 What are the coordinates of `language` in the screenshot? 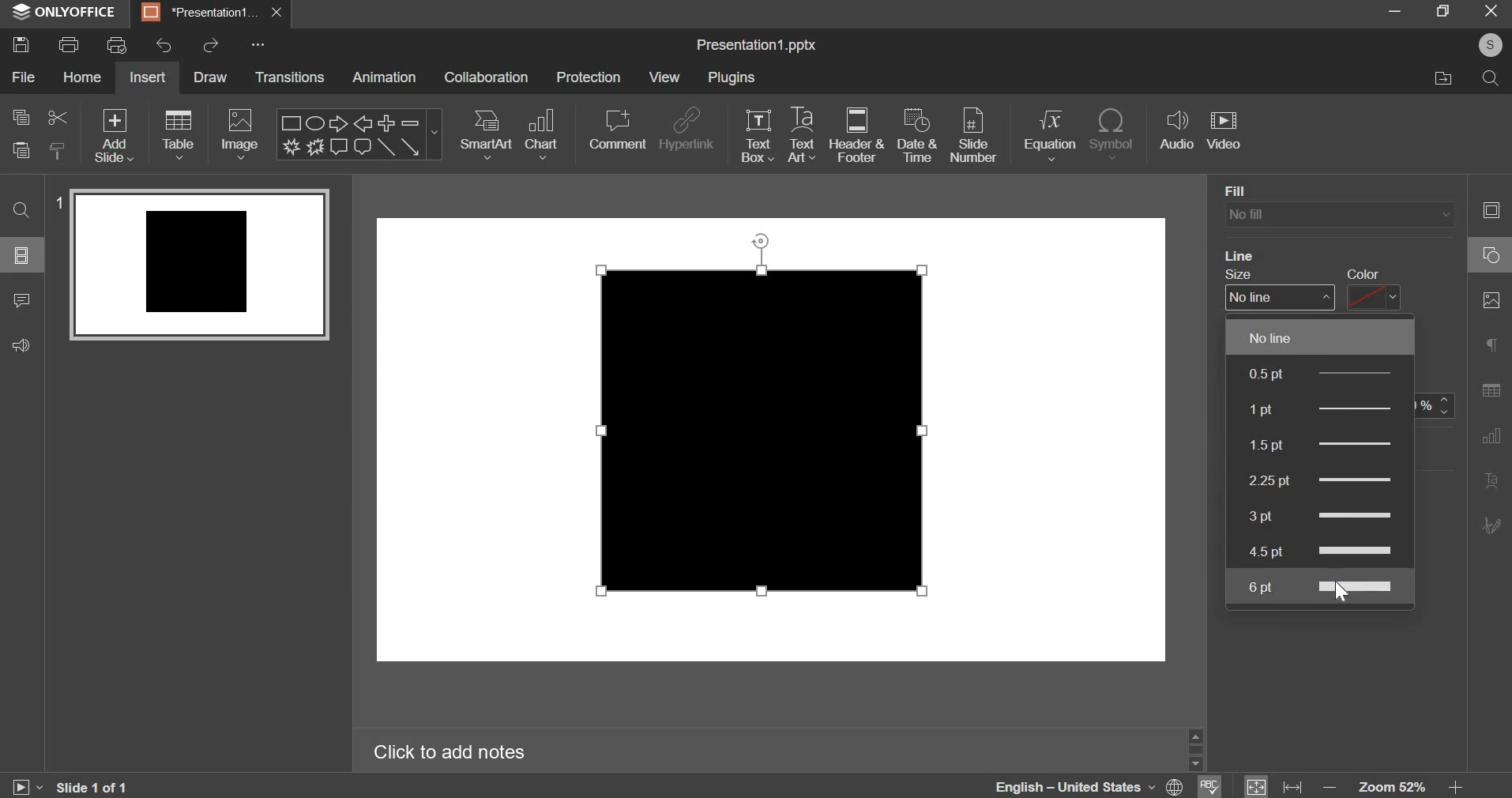 It's located at (1089, 787).